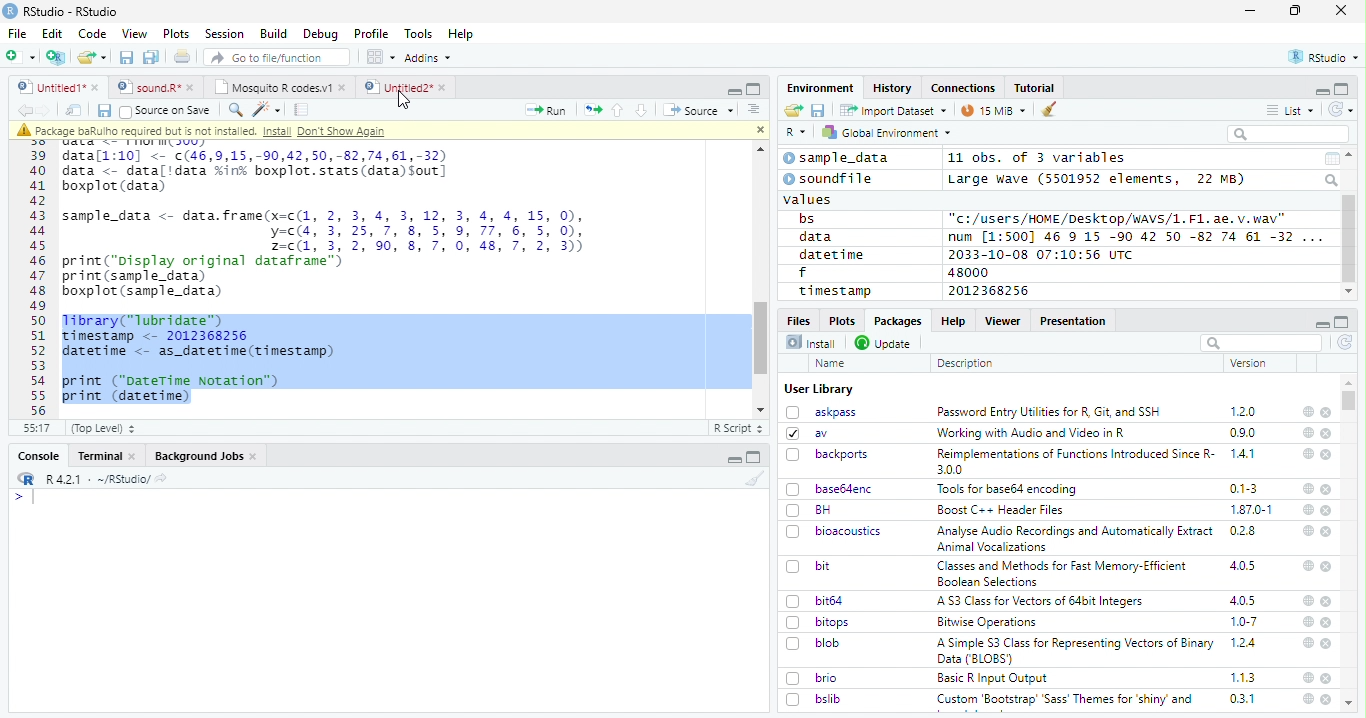 The image size is (1366, 718). I want to click on values, so click(809, 198).